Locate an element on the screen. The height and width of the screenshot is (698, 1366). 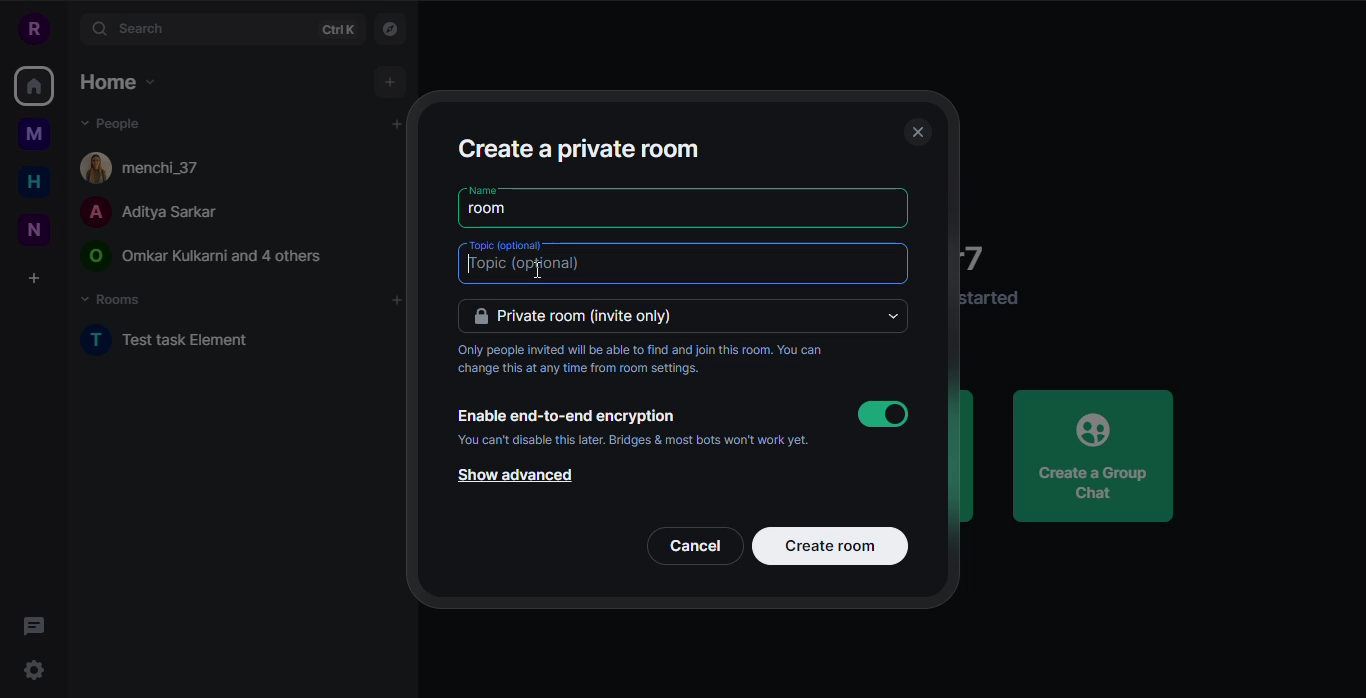
test task element is located at coordinates (168, 340).